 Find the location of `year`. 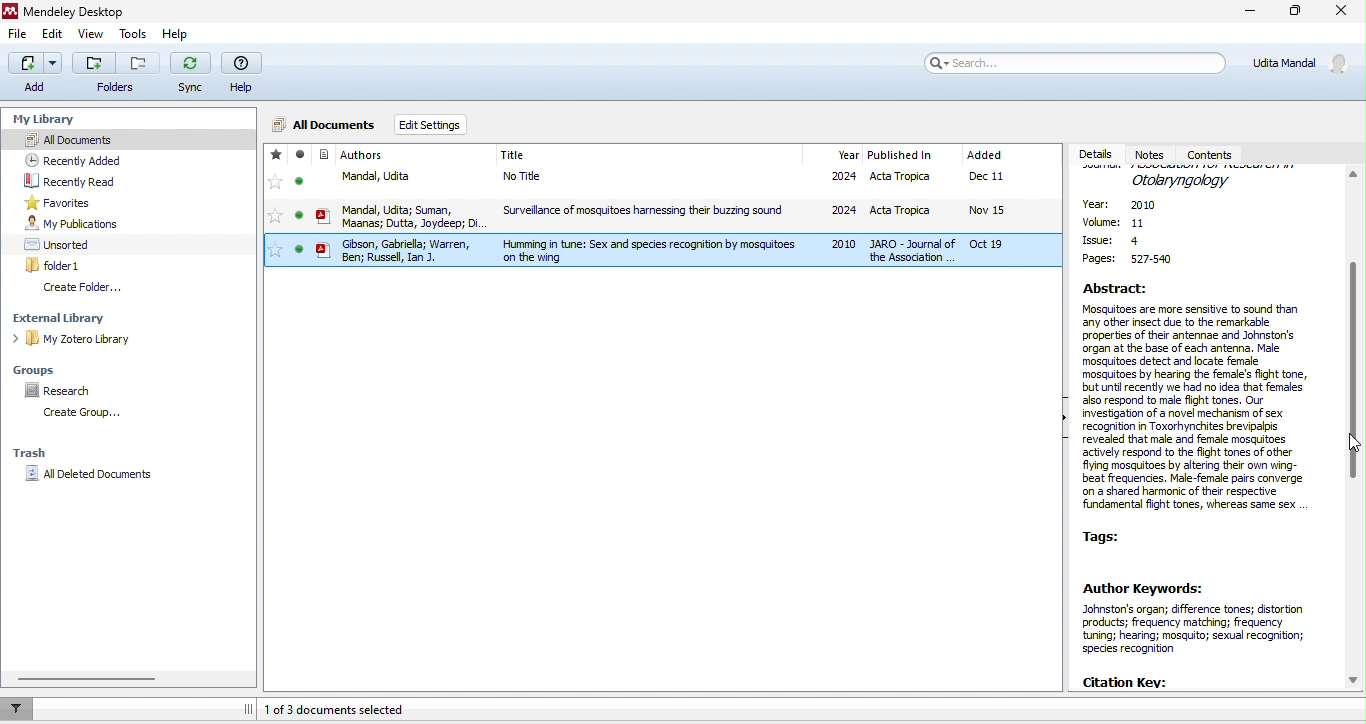

year is located at coordinates (847, 155).